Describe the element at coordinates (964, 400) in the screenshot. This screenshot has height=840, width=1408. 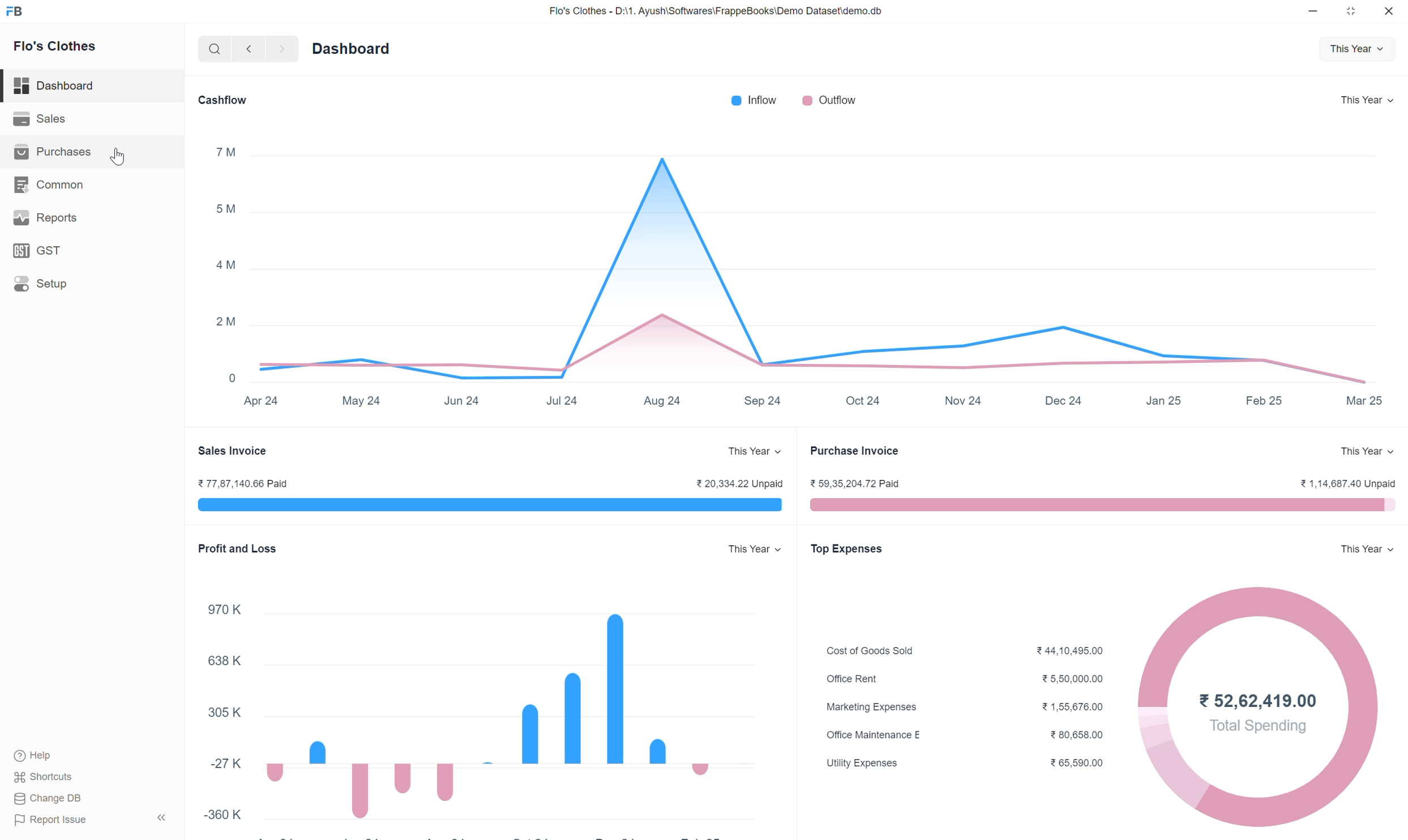
I see `Nov 24` at that location.